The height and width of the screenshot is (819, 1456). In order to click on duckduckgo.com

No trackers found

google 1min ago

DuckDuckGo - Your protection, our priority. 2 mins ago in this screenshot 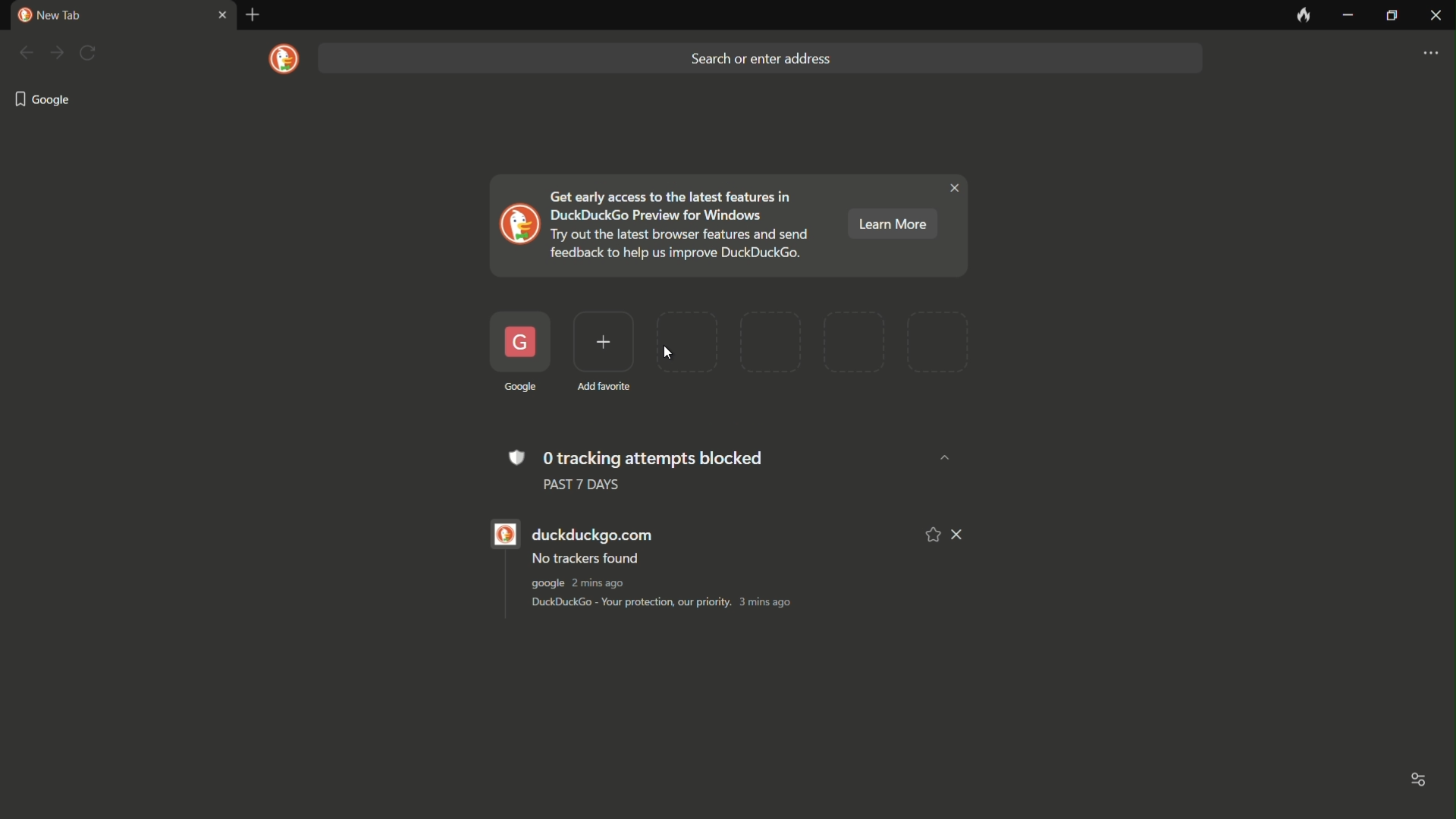, I will do `click(691, 566)`.